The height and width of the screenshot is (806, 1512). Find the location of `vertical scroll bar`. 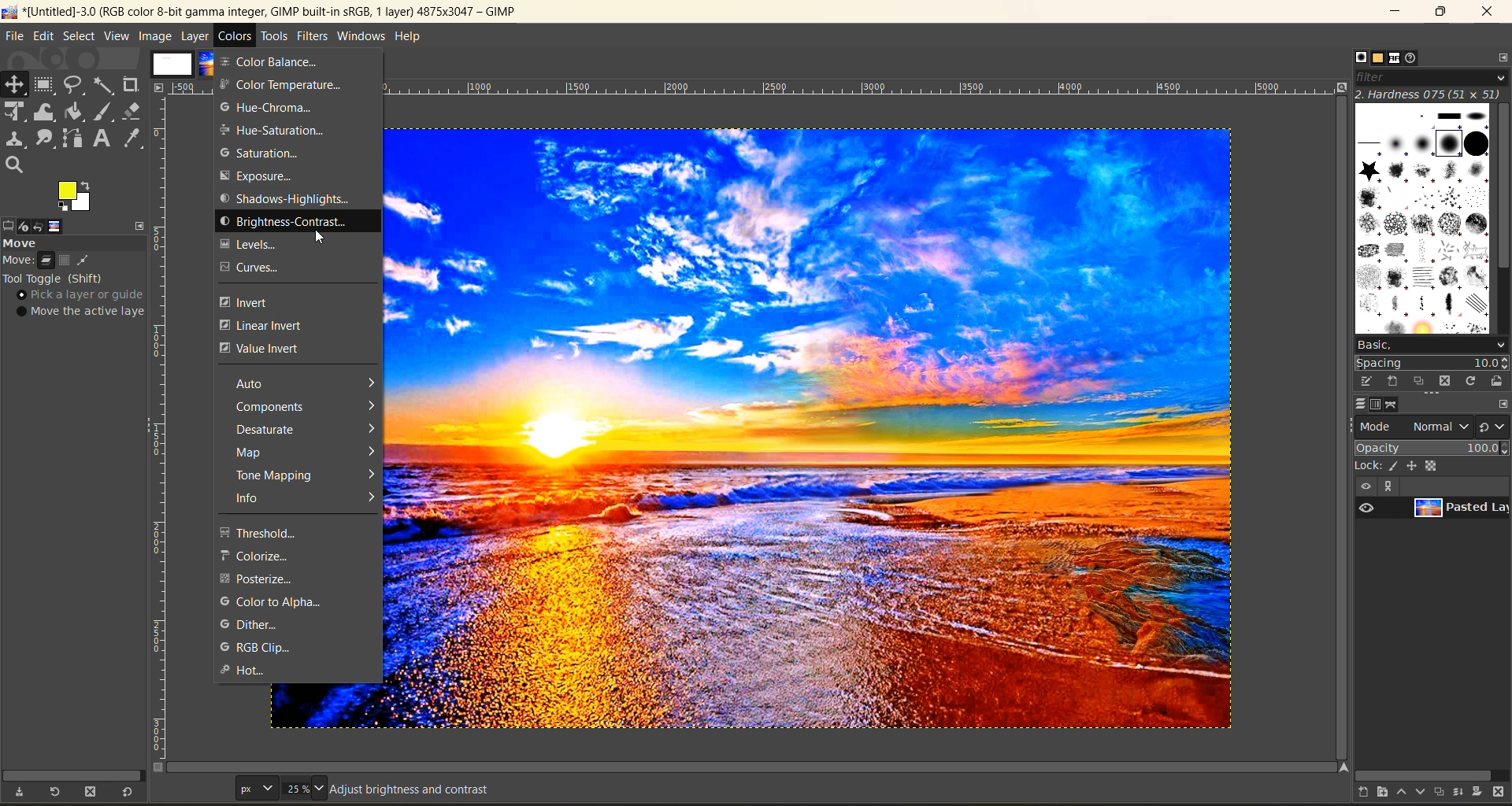

vertical scroll bar is located at coordinates (1503, 190).